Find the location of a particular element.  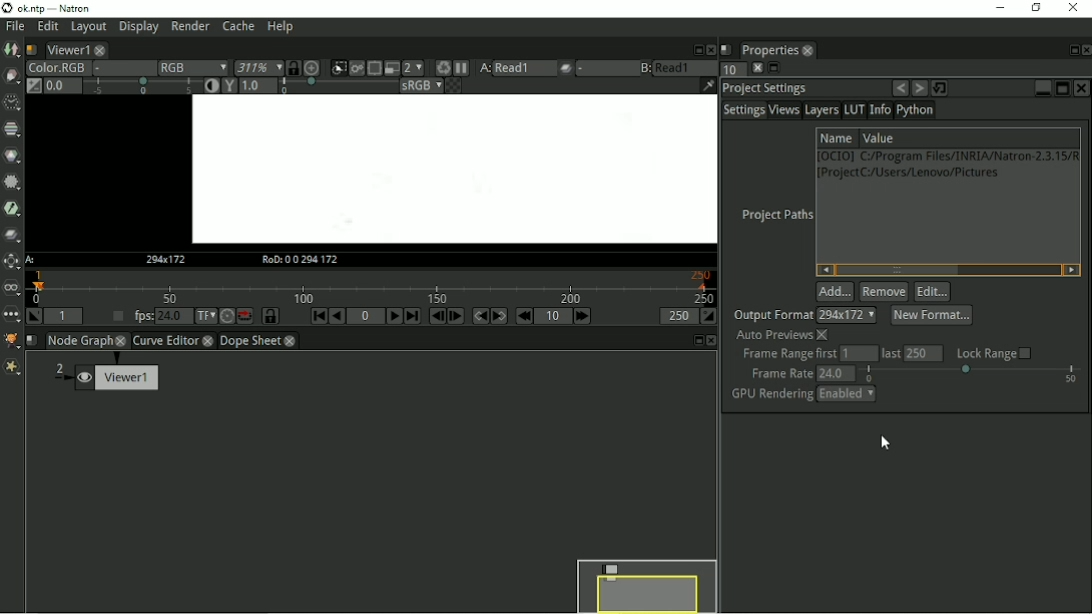

last is located at coordinates (889, 353).